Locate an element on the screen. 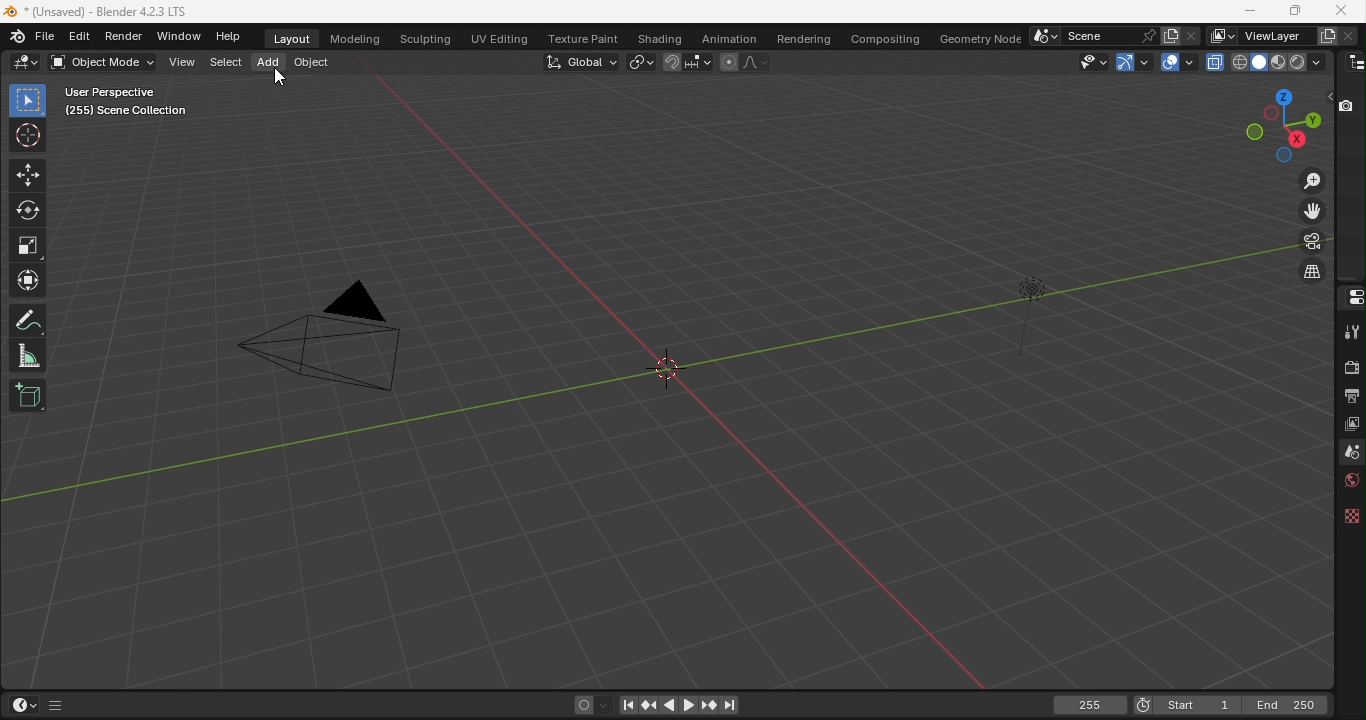 Image resolution: width=1366 pixels, height=720 pixels. Rendering is located at coordinates (805, 38).